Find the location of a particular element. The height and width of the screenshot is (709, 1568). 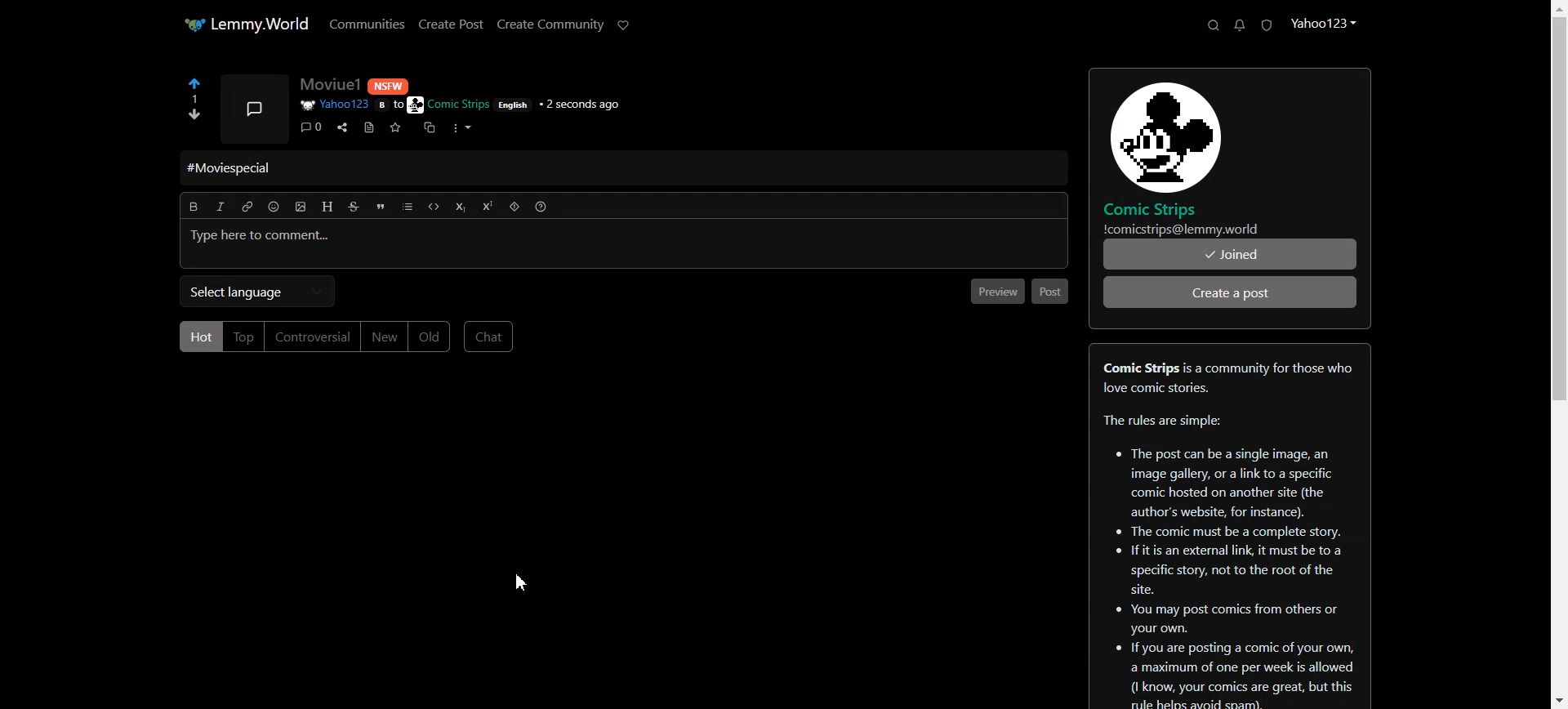

Top is located at coordinates (243, 337).